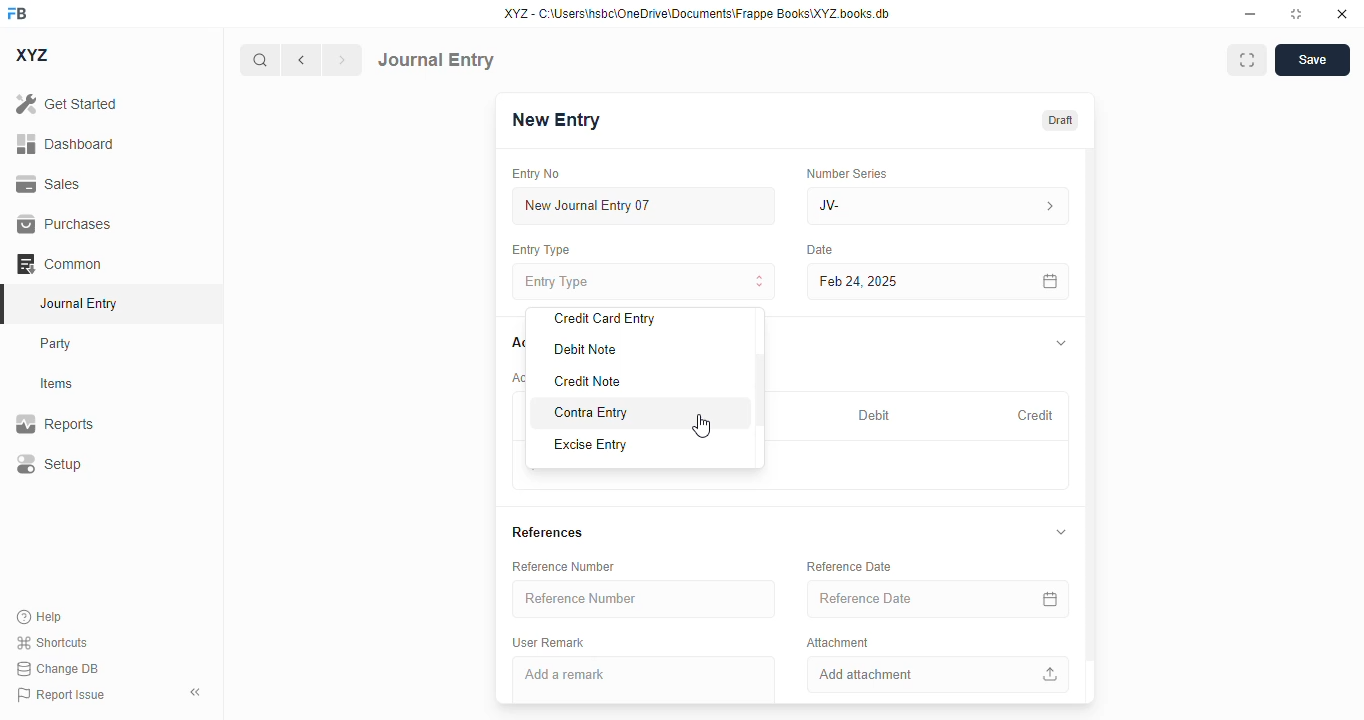 Image resolution: width=1364 pixels, height=720 pixels. What do you see at coordinates (1037, 415) in the screenshot?
I see `credit` at bounding box center [1037, 415].